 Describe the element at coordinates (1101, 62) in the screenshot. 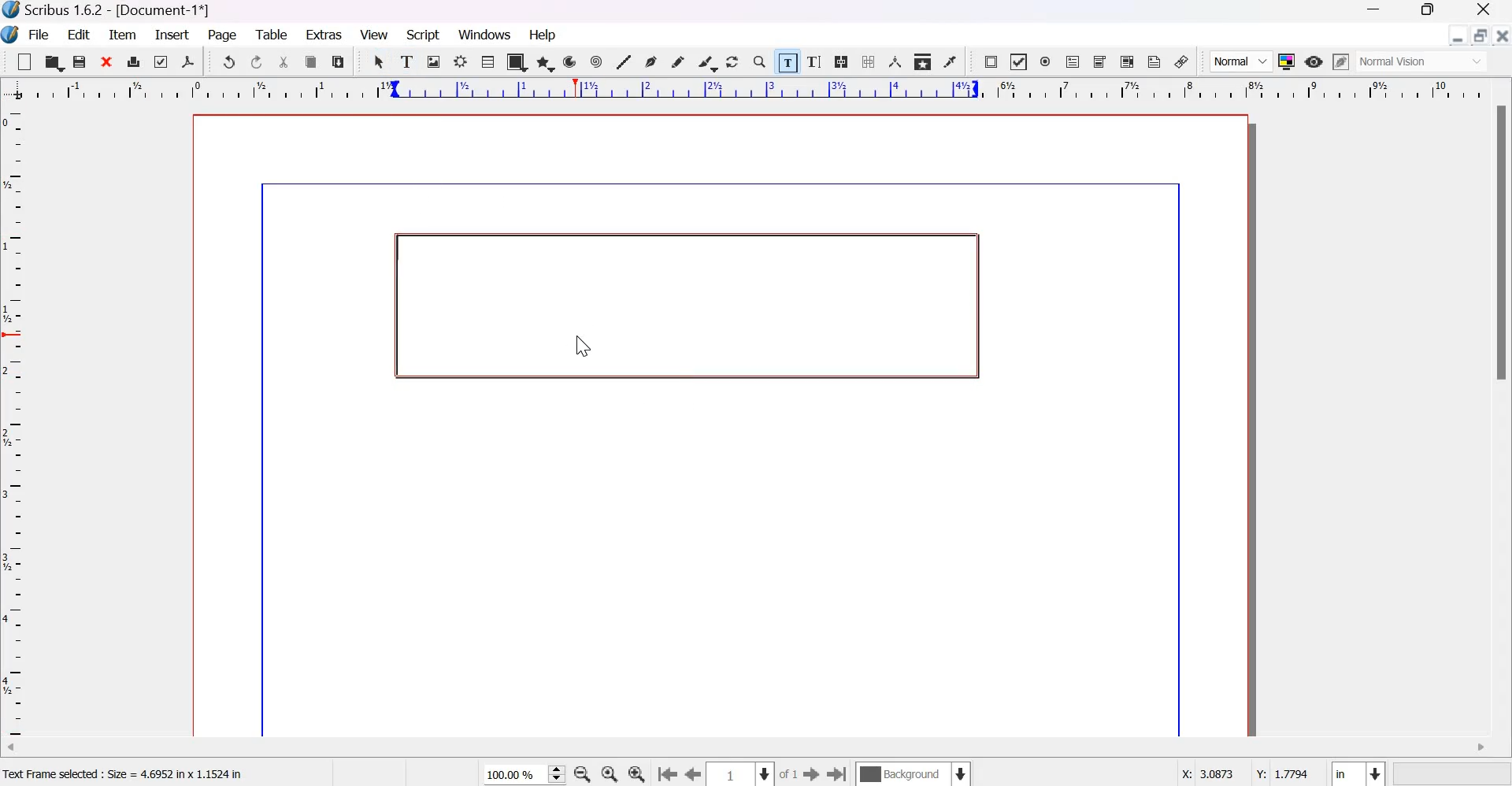

I see `PDF Combo Box` at that location.